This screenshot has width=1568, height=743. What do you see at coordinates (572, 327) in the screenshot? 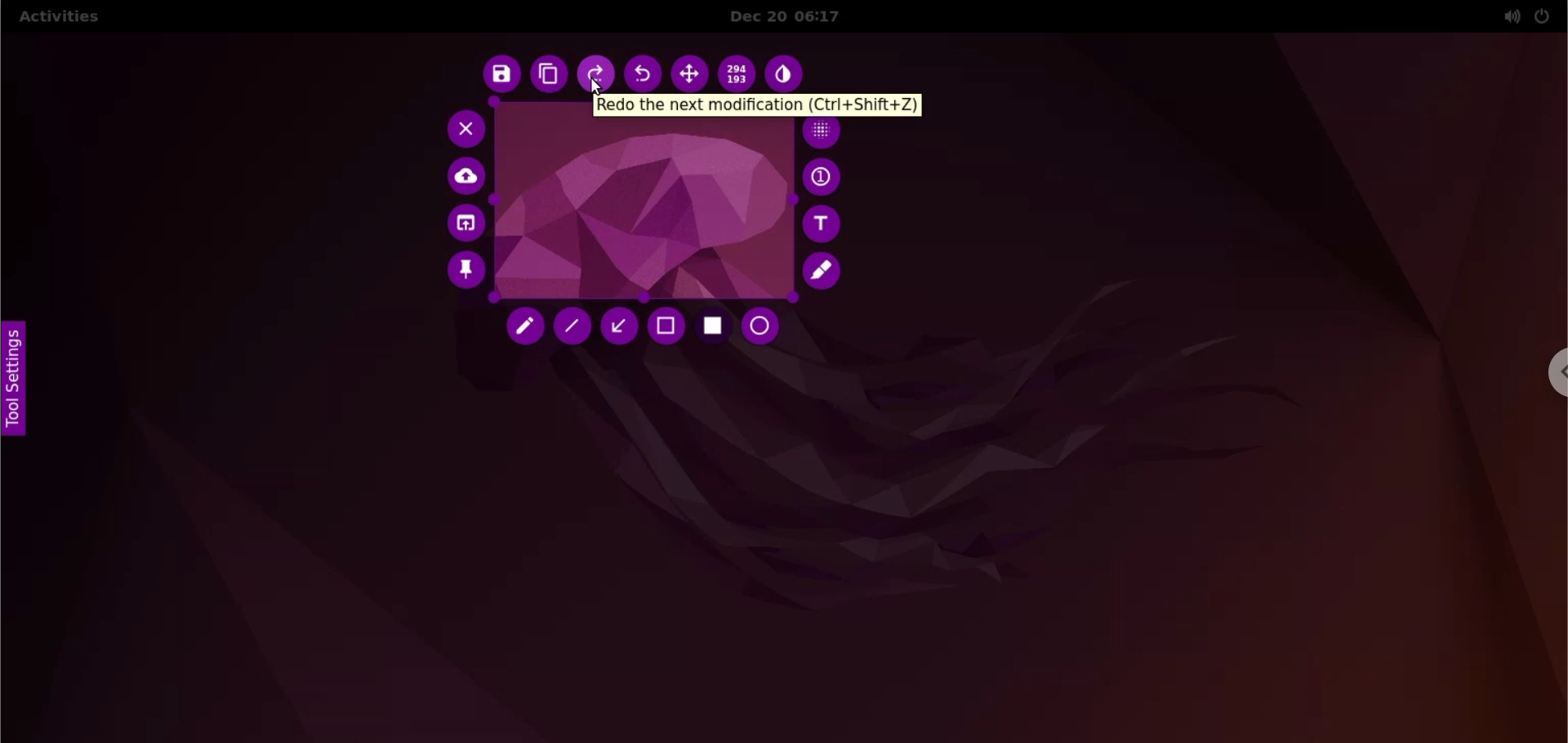
I see `line tool` at bounding box center [572, 327].